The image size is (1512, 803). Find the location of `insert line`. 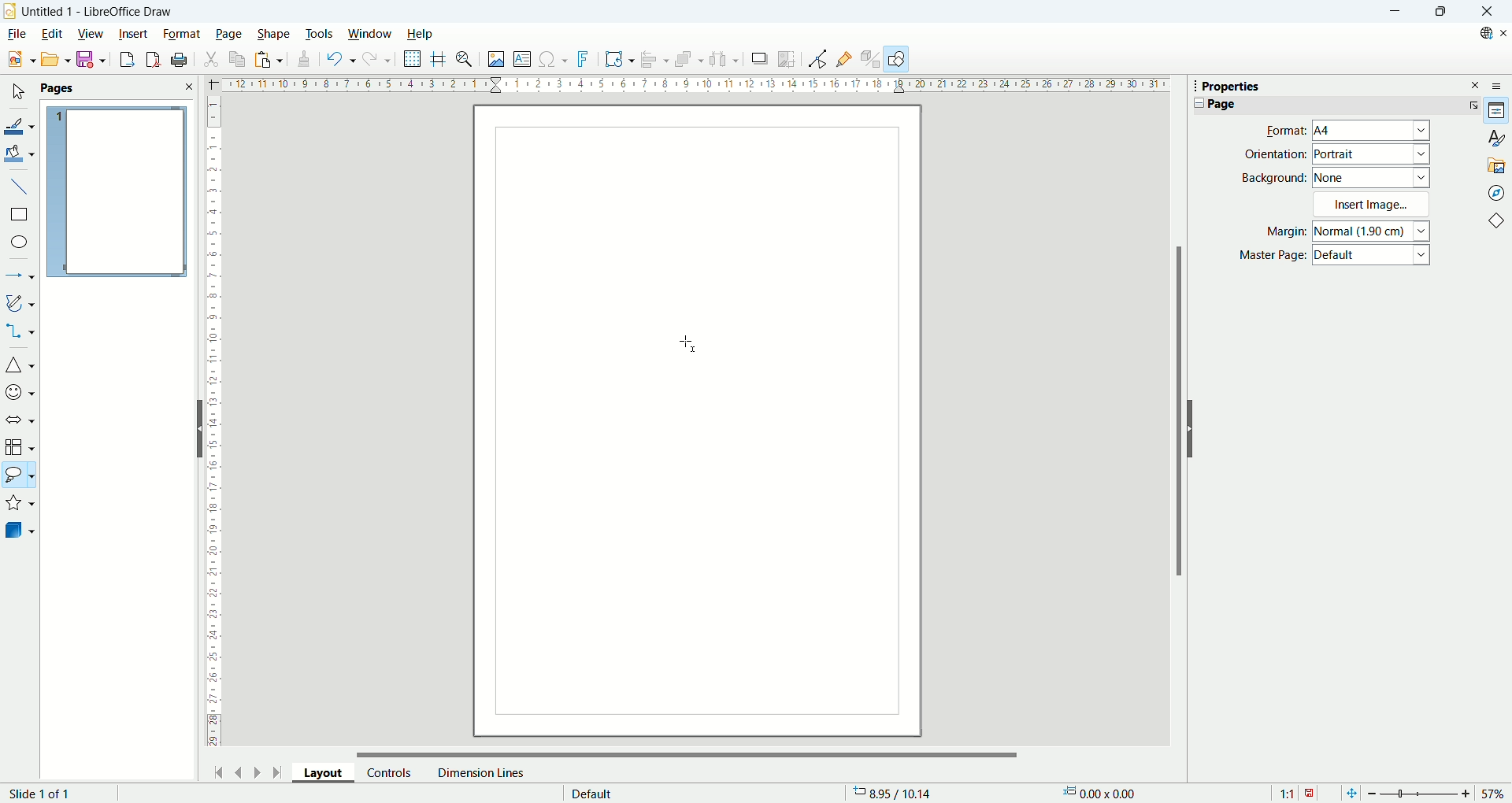

insert line is located at coordinates (19, 185).